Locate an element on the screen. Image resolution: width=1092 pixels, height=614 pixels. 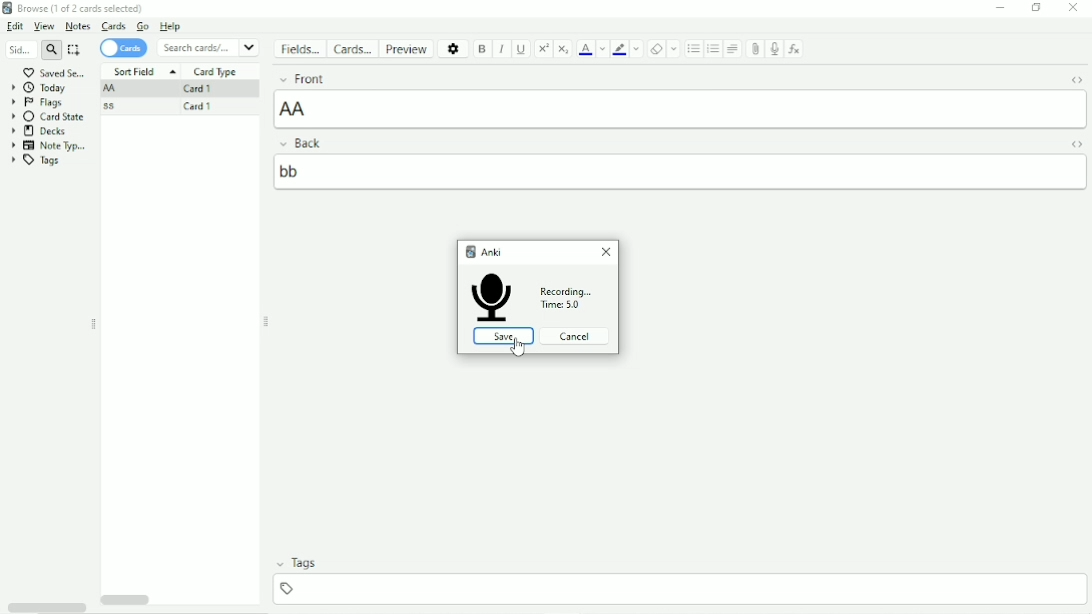
Superscript is located at coordinates (543, 48).